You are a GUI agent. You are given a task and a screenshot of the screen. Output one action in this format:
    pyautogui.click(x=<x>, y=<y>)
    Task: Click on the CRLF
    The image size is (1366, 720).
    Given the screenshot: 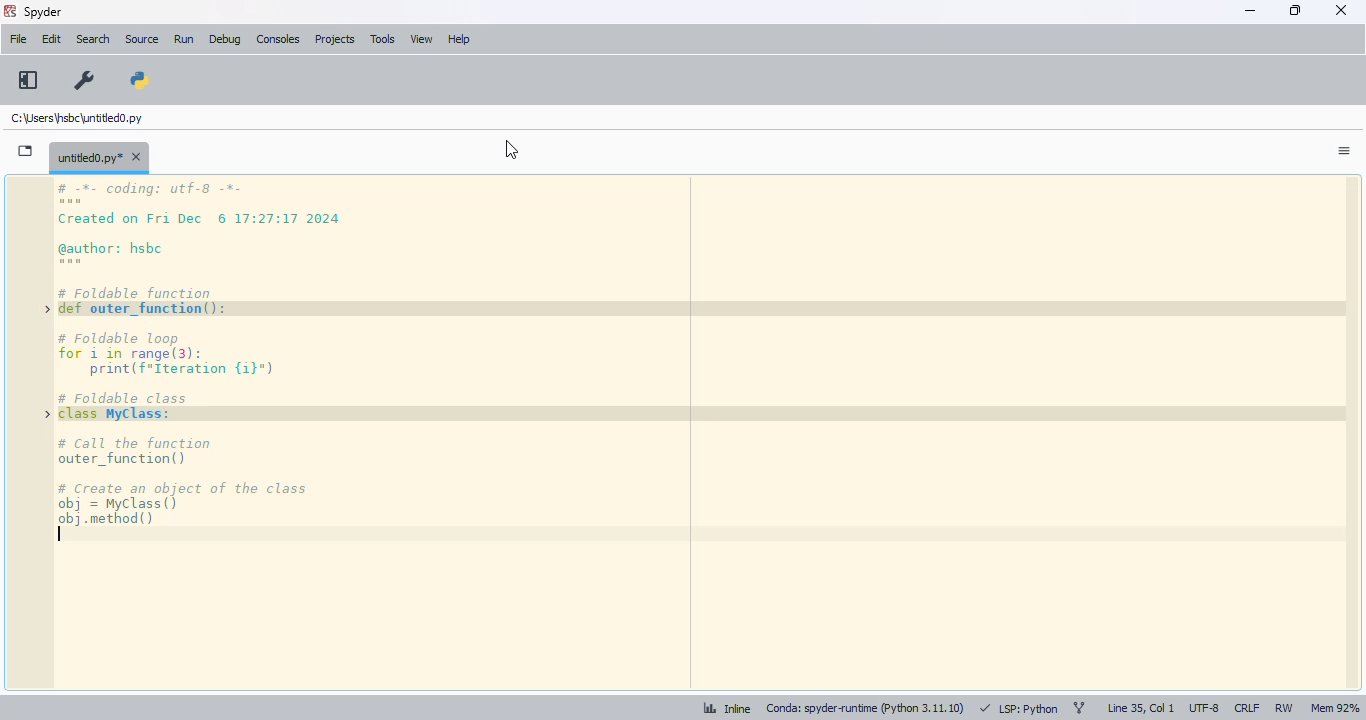 What is the action you would take?
    pyautogui.click(x=1246, y=709)
    